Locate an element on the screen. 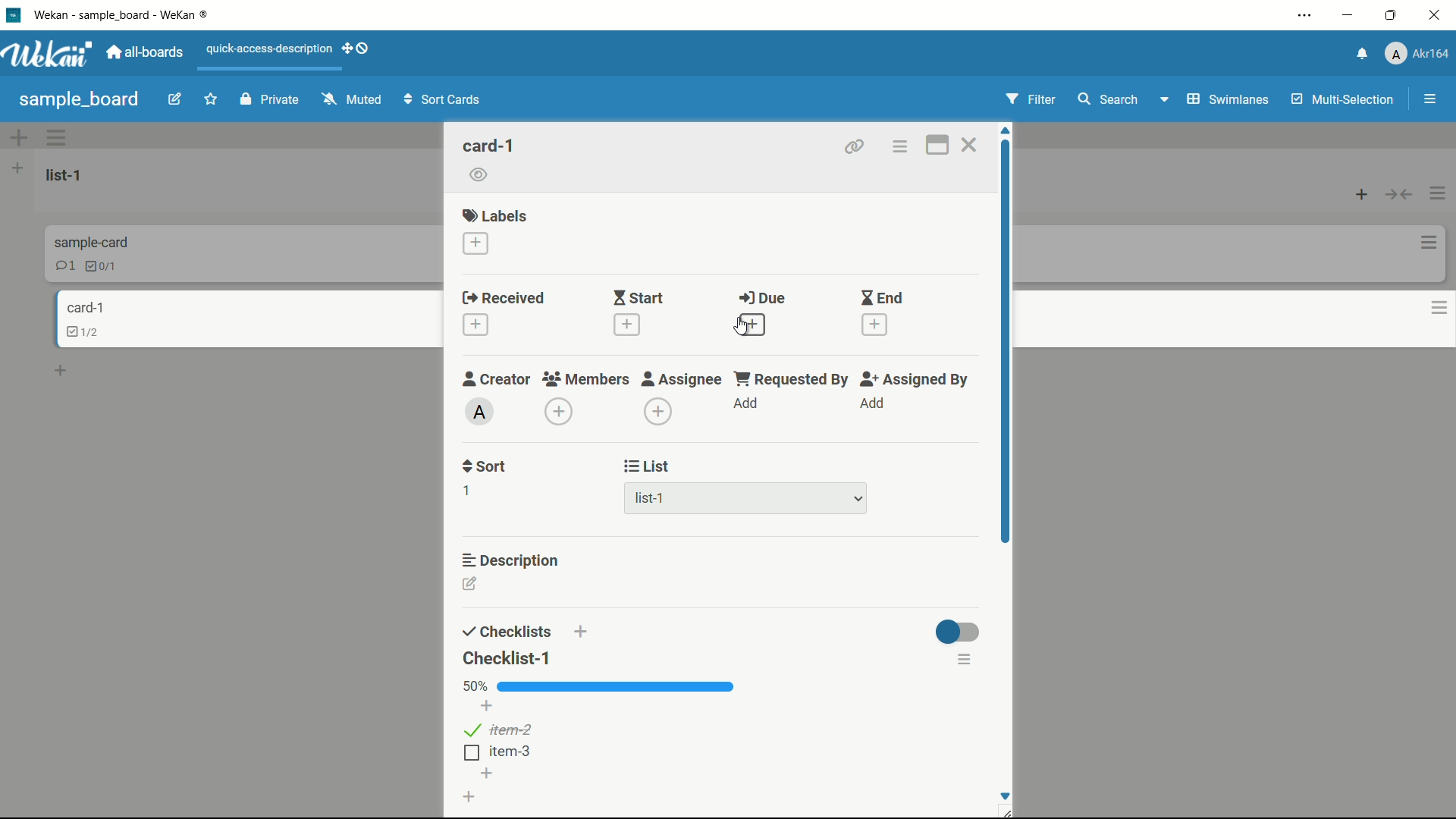 Image resolution: width=1456 pixels, height=819 pixels. item-3 is located at coordinates (503, 754).